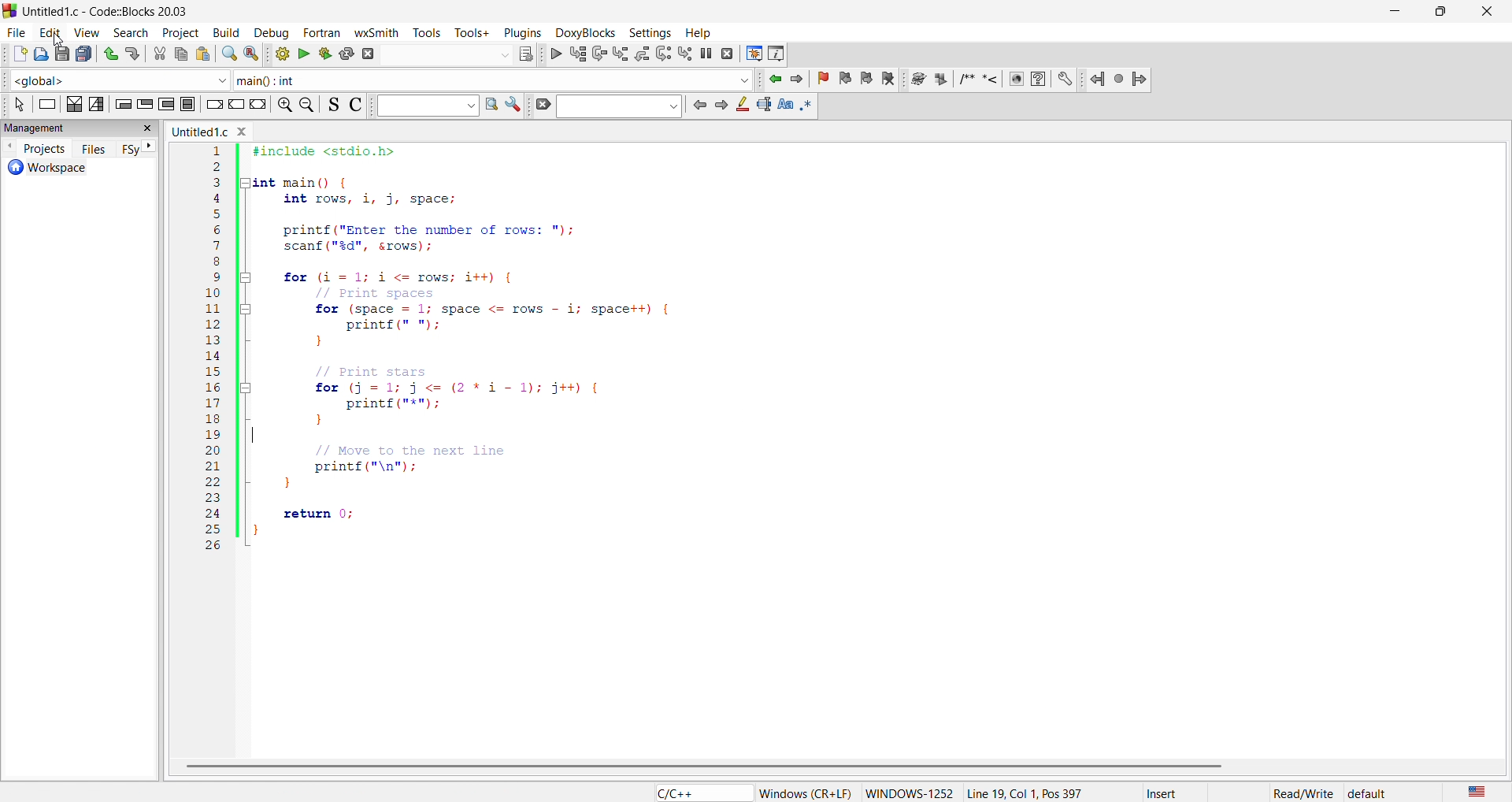 The width and height of the screenshot is (1512, 802). What do you see at coordinates (259, 106) in the screenshot?
I see `return instruction` at bounding box center [259, 106].